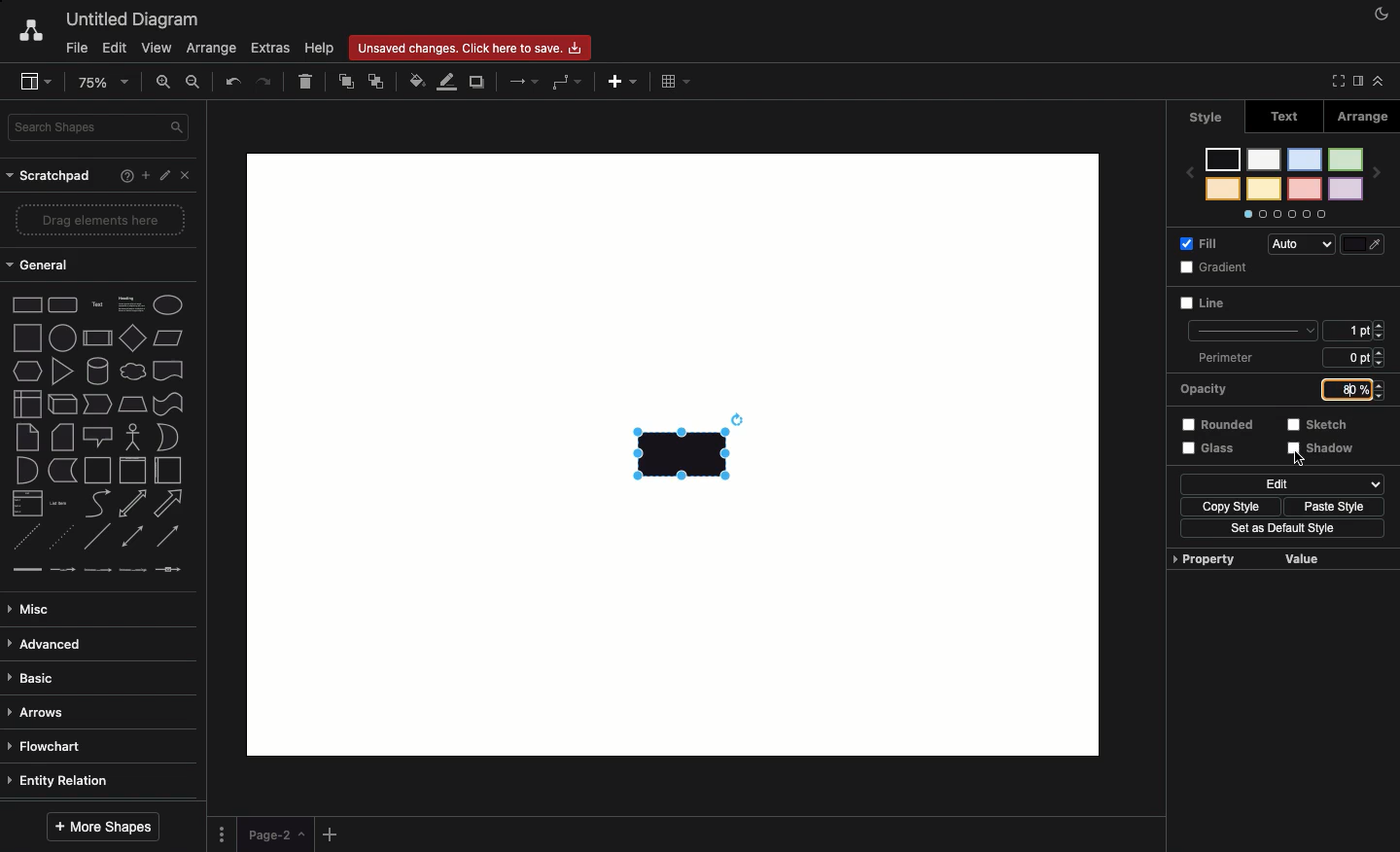 Image resolution: width=1400 pixels, height=852 pixels. What do you see at coordinates (310, 84) in the screenshot?
I see `Delete` at bounding box center [310, 84].